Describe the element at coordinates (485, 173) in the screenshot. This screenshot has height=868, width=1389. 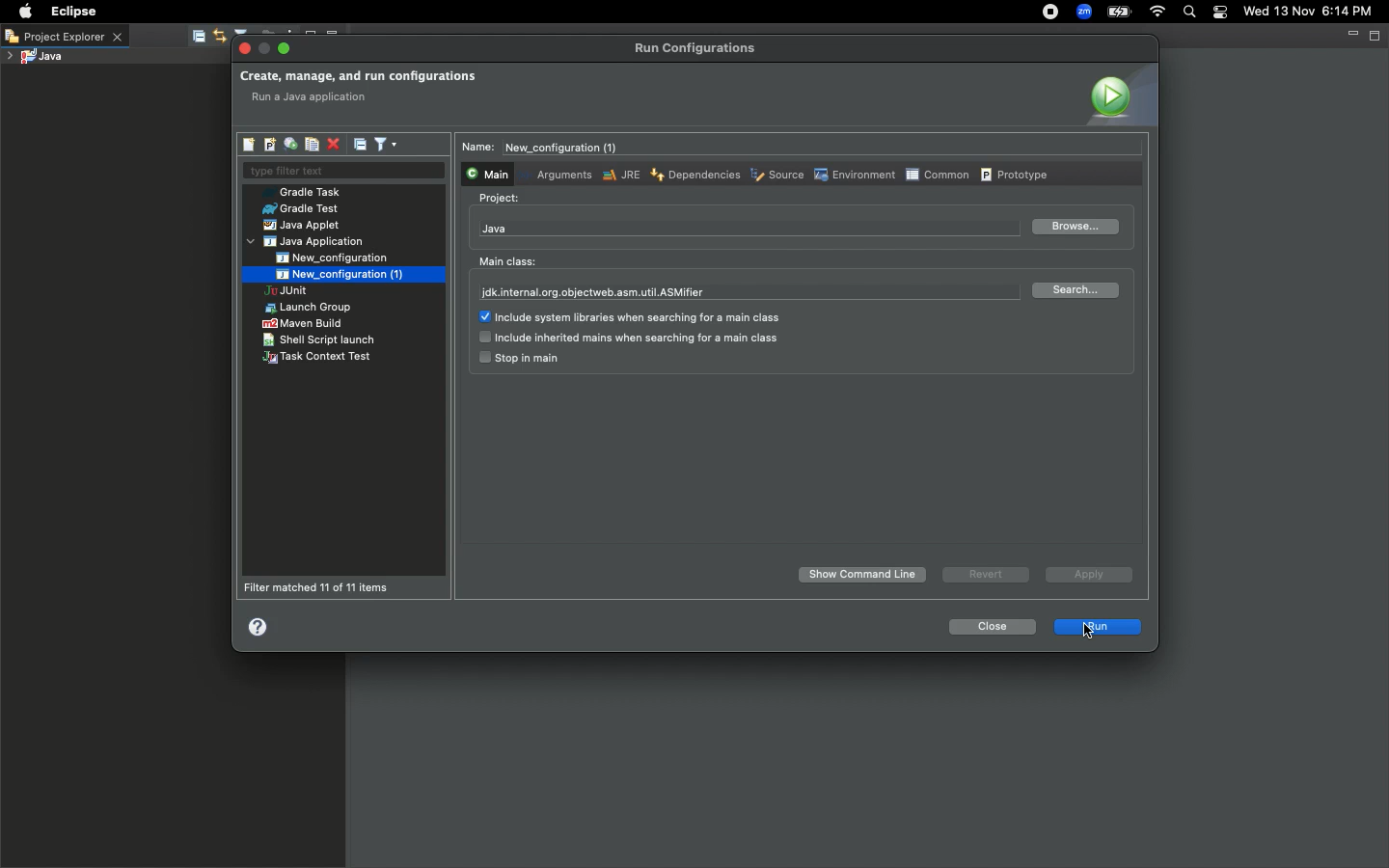
I see `Main` at that location.